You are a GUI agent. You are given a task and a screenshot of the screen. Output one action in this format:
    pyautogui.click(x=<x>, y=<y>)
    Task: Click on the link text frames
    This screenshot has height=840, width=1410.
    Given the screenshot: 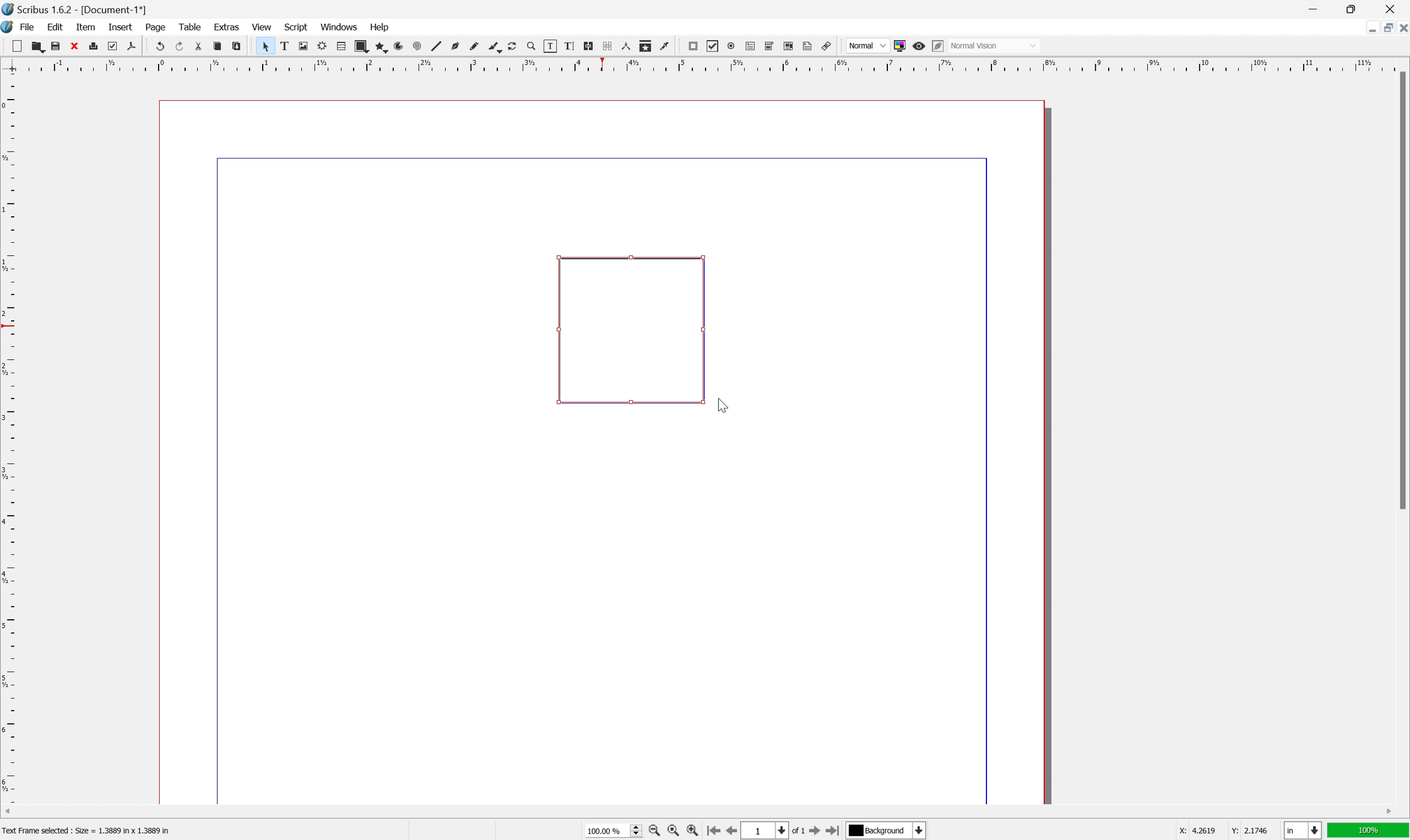 What is the action you would take?
    pyautogui.click(x=589, y=46)
    